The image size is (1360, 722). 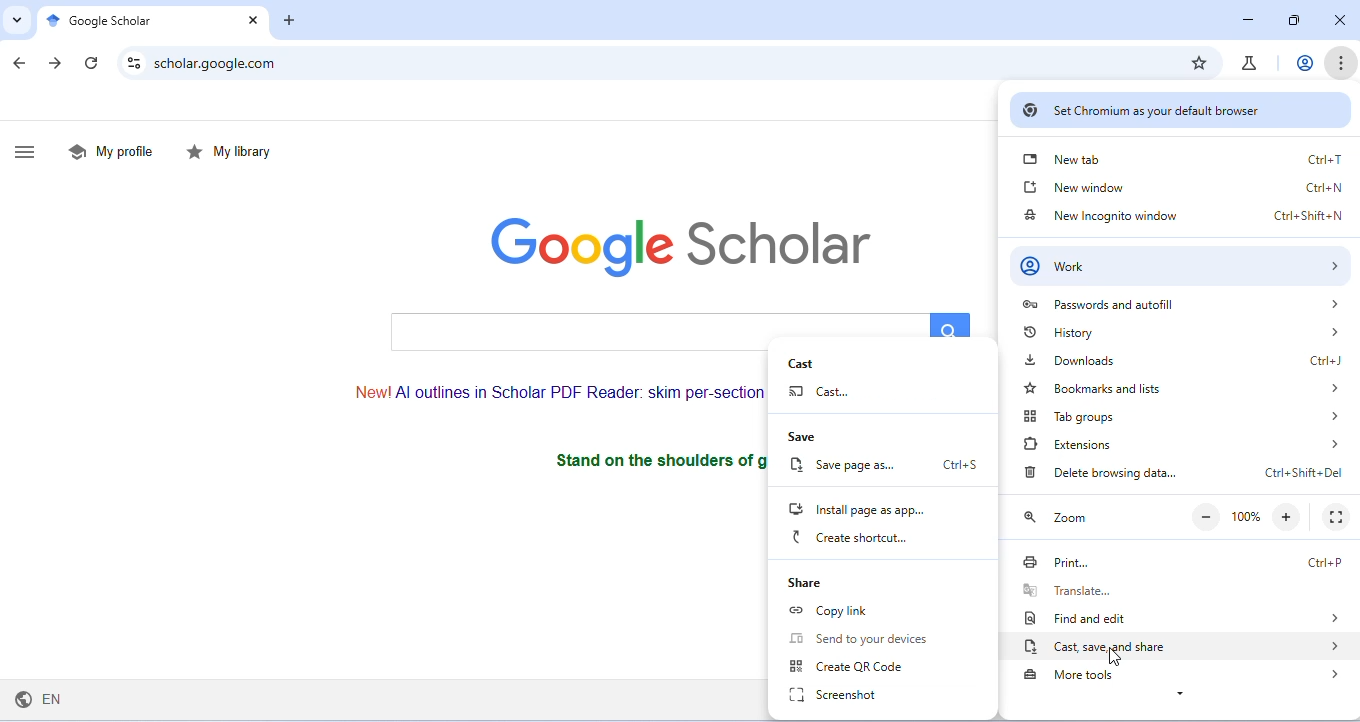 What do you see at coordinates (1182, 187) in the screenshot?
I see `new window` at bounding box center [1182, 187].